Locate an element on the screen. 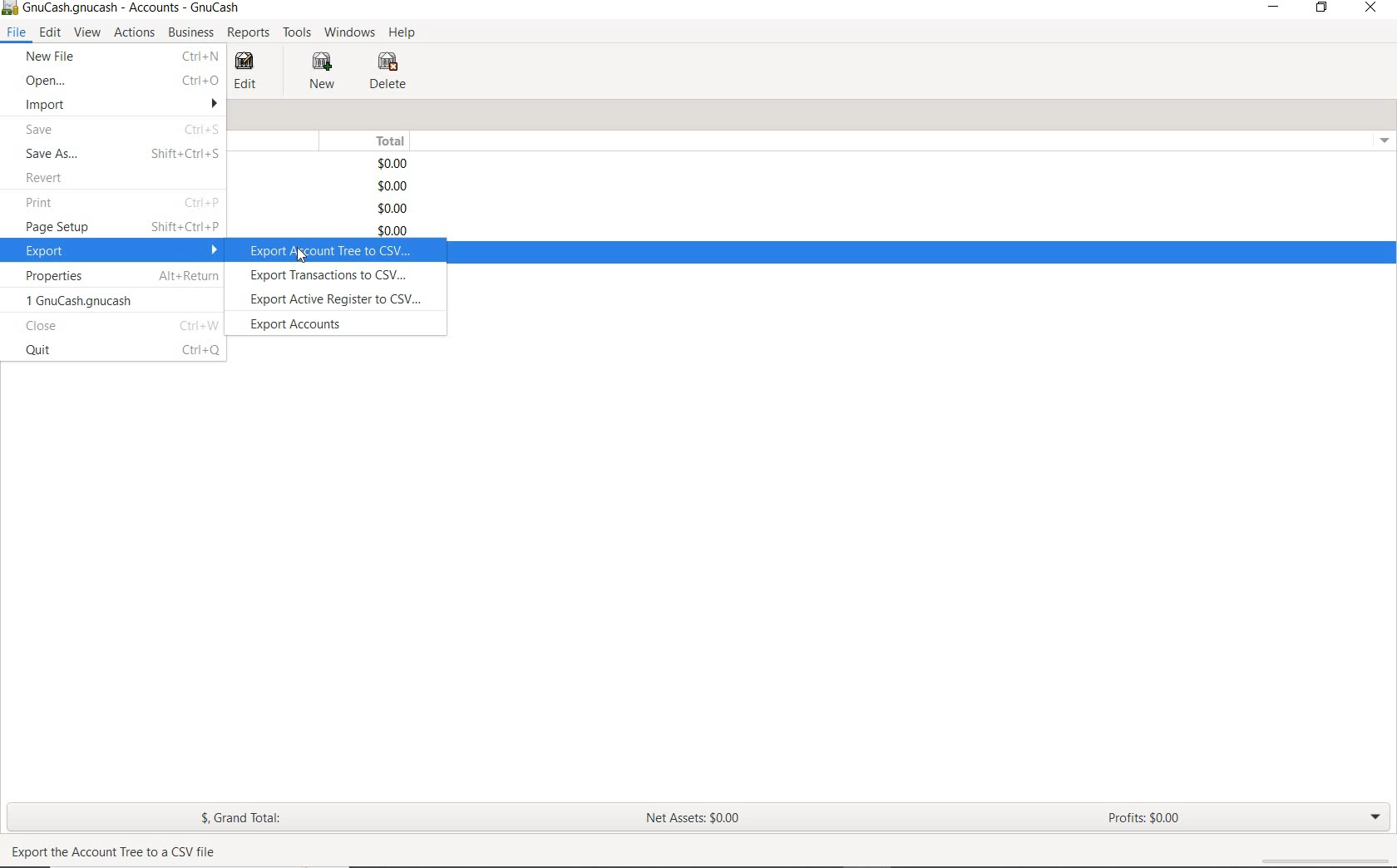  Shift+Ctrl+S is located at coordinates (185, 152).